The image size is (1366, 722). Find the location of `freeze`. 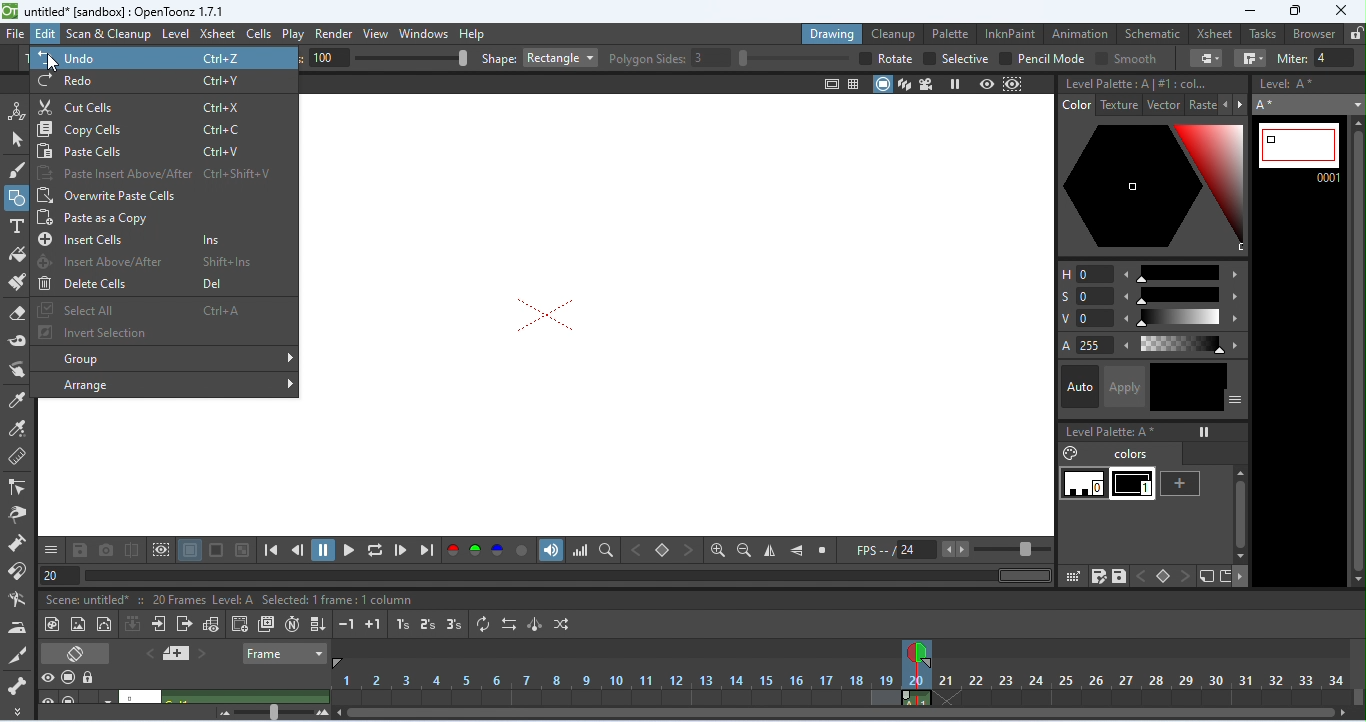

freeze is located at coordinates (954, 84).